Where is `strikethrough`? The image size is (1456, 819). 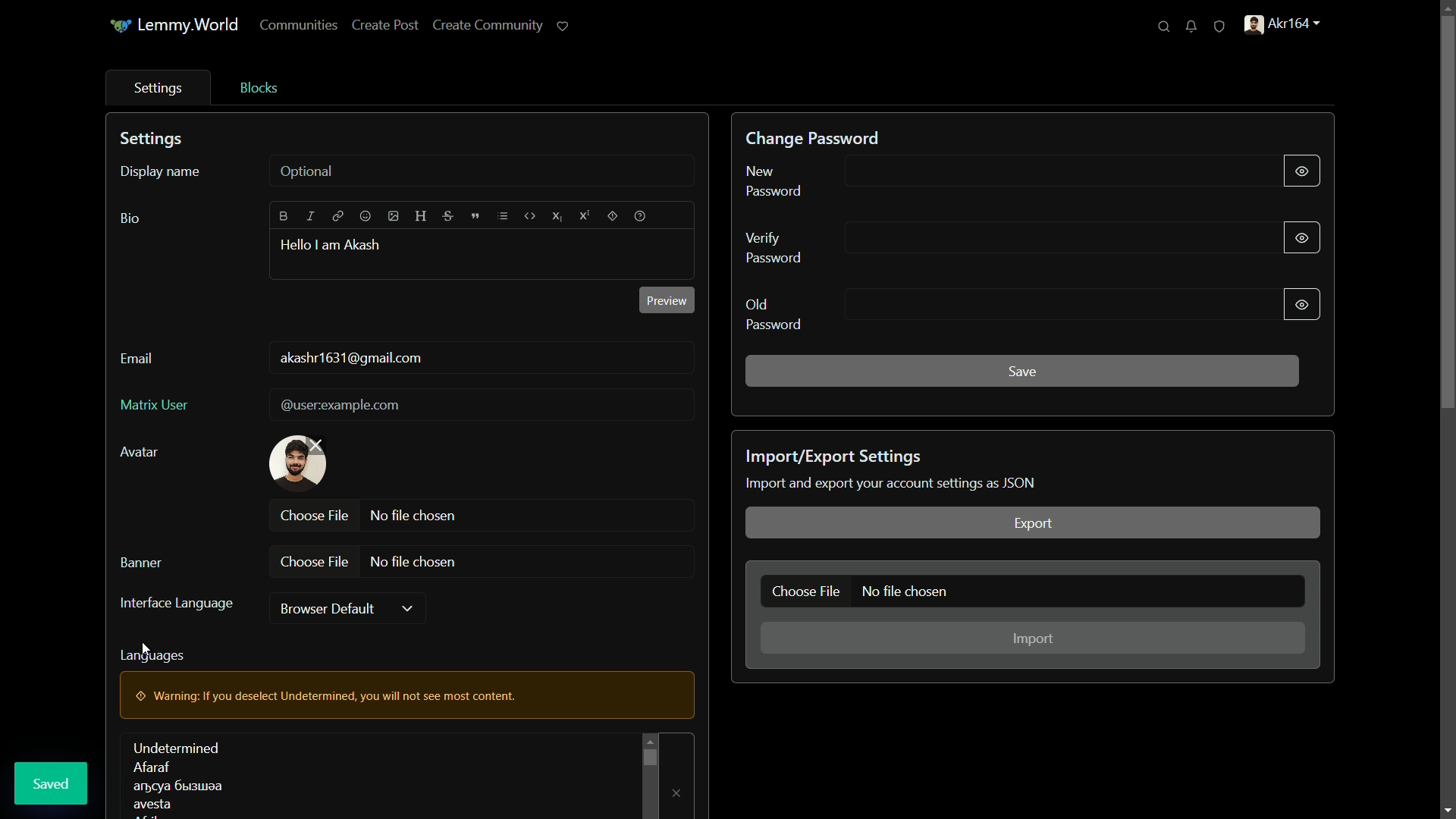
strikethrough is located at coordinates (447, 216).